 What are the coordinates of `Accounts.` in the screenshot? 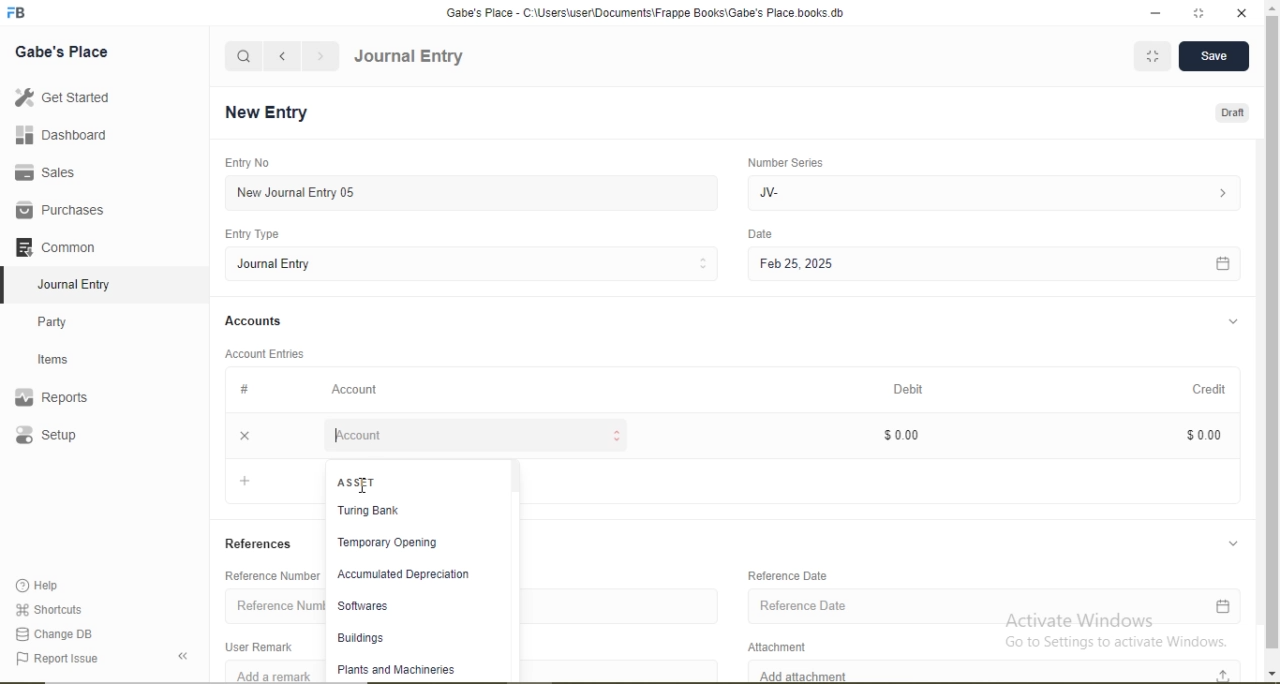 It's located at (254, 321).